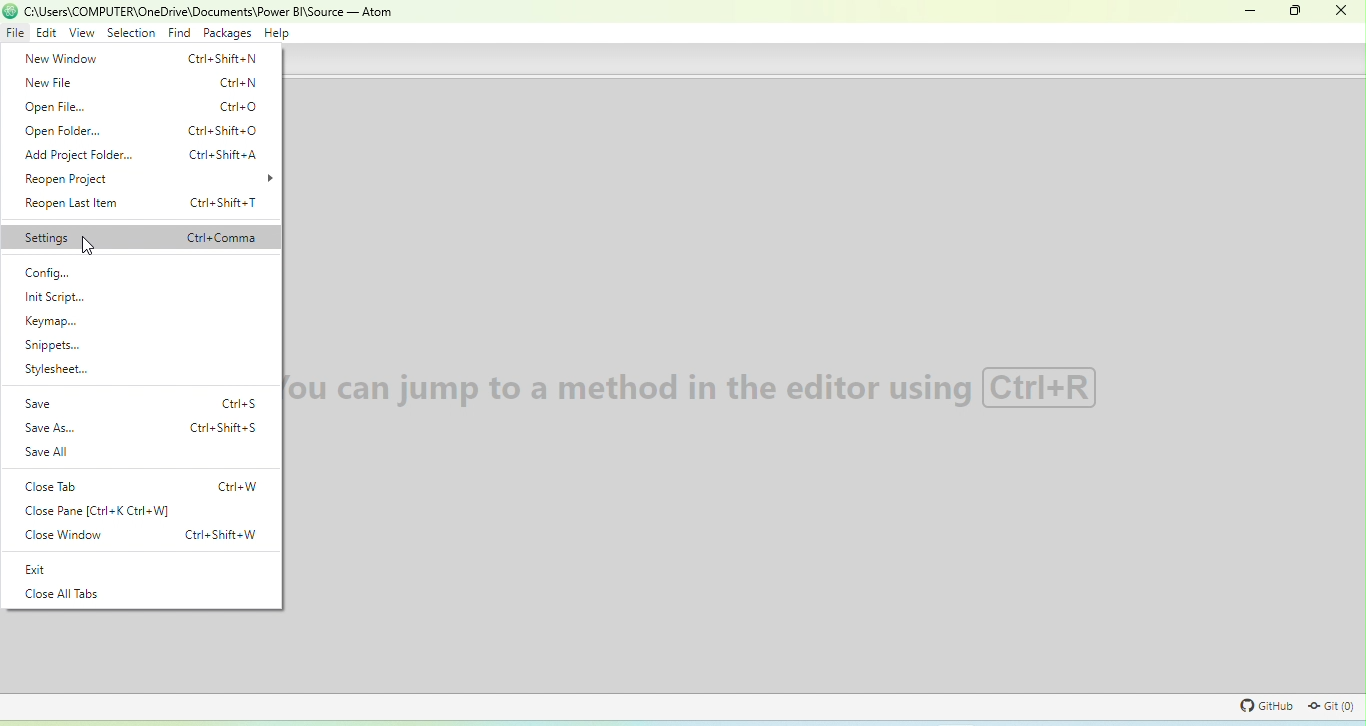  I want to click on open file, so click(141, 107).